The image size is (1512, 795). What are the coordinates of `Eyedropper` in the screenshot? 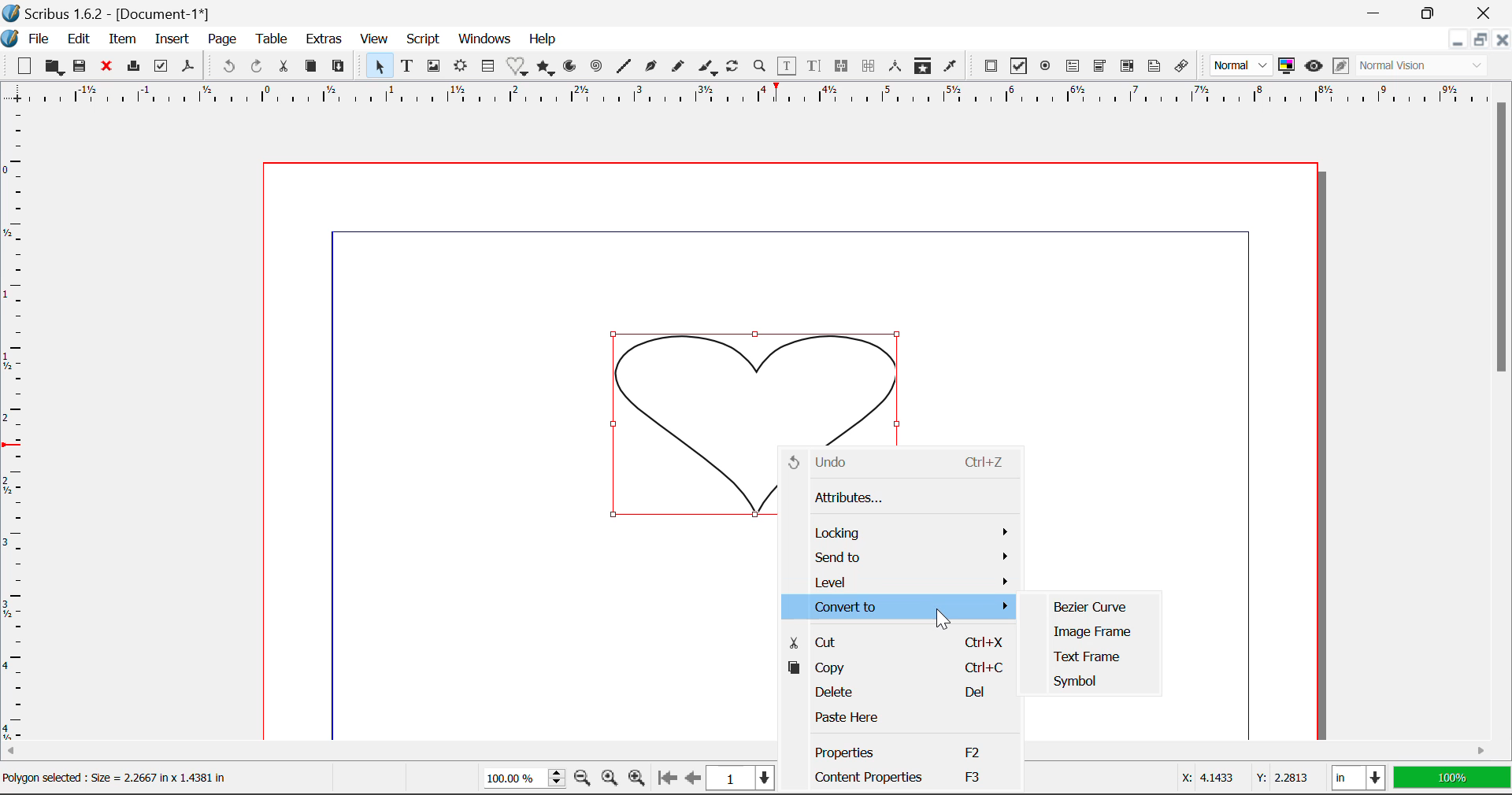 It's located at (951, 66).